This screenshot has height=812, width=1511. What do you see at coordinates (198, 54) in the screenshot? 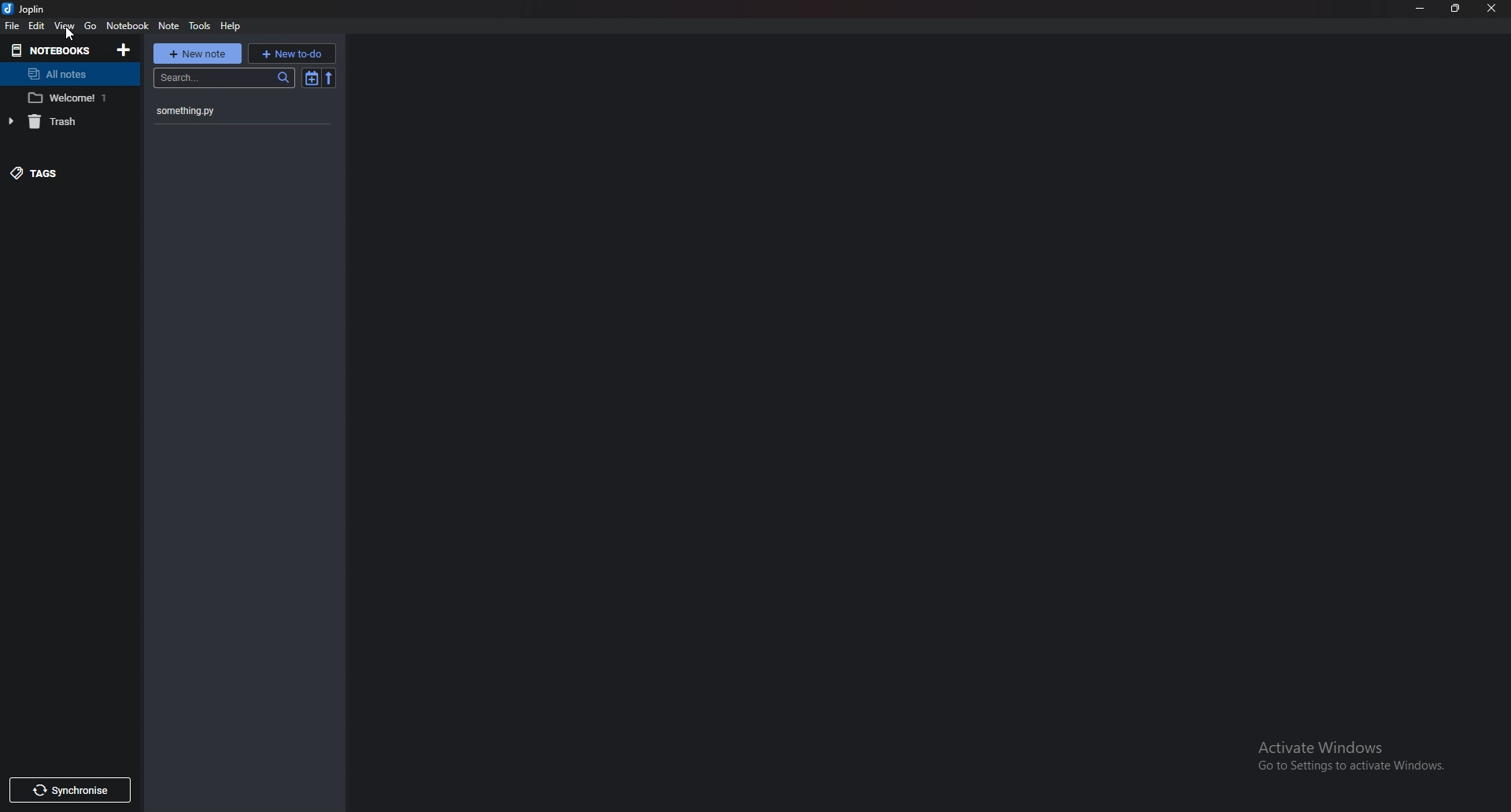
I see `New note` at bounding box center [198, 54].